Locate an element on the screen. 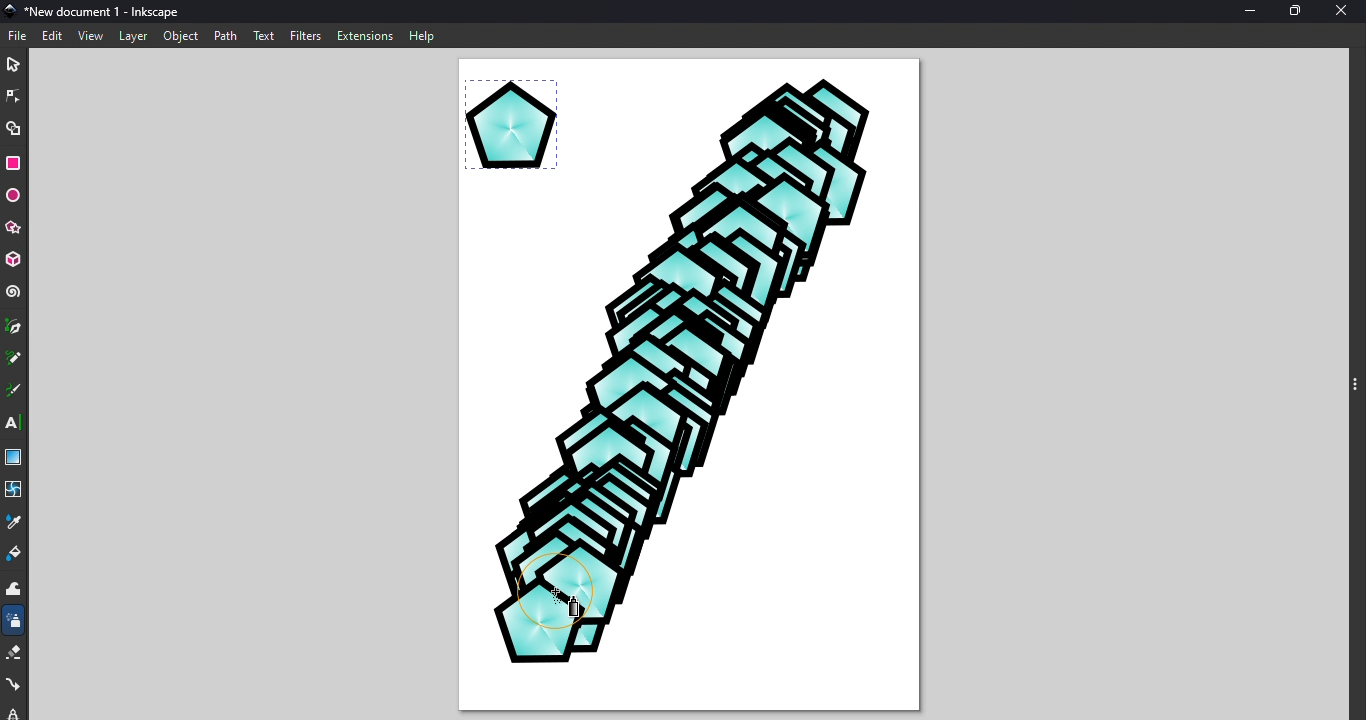 The width and height of the screenshot is (1366, 720). App logo is located at coordinates (9, 9).